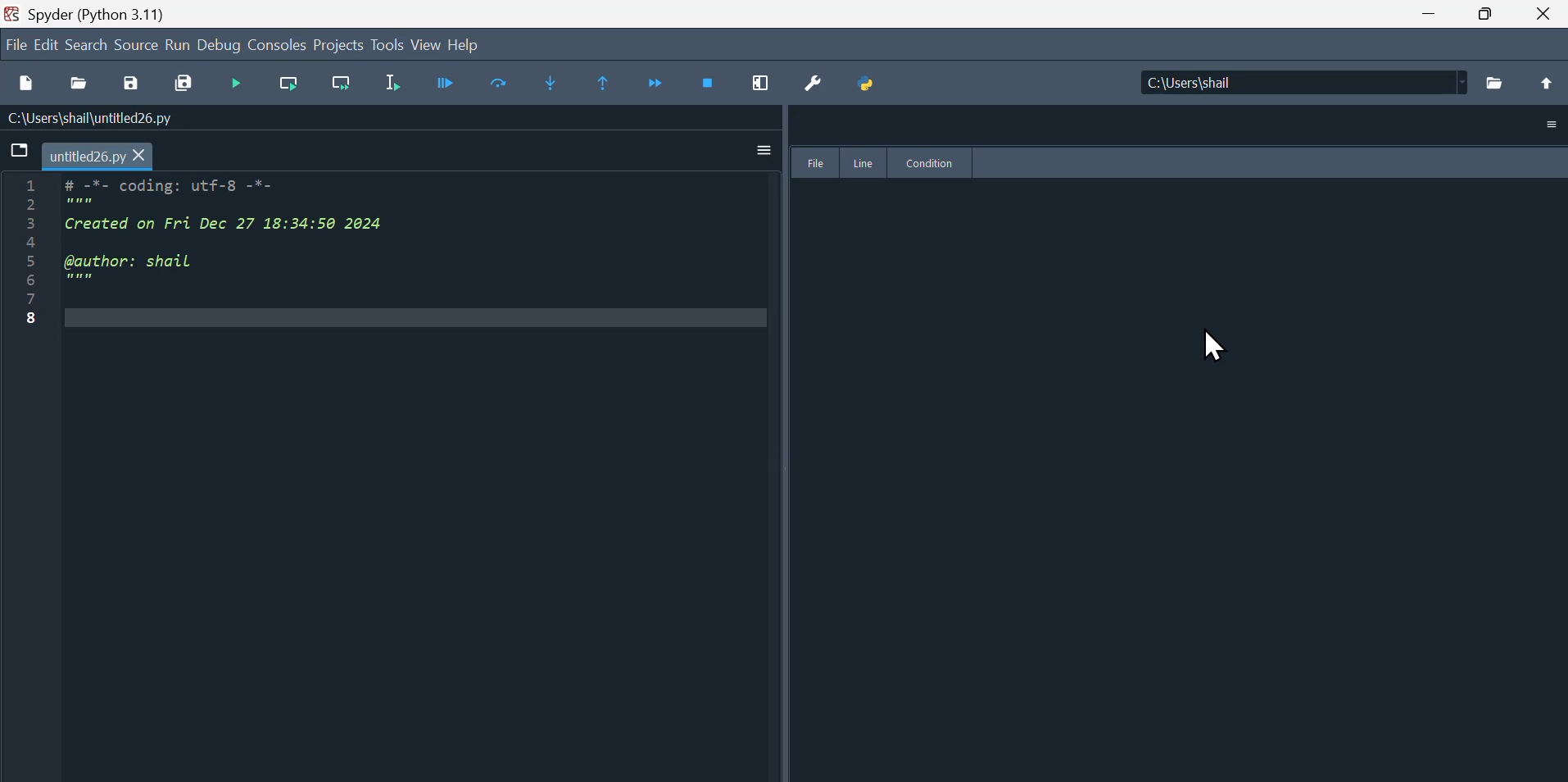 The height and width of the screenshot is (782, 1568). I want to click on Continue execution until same function returns, so click(610, 83).